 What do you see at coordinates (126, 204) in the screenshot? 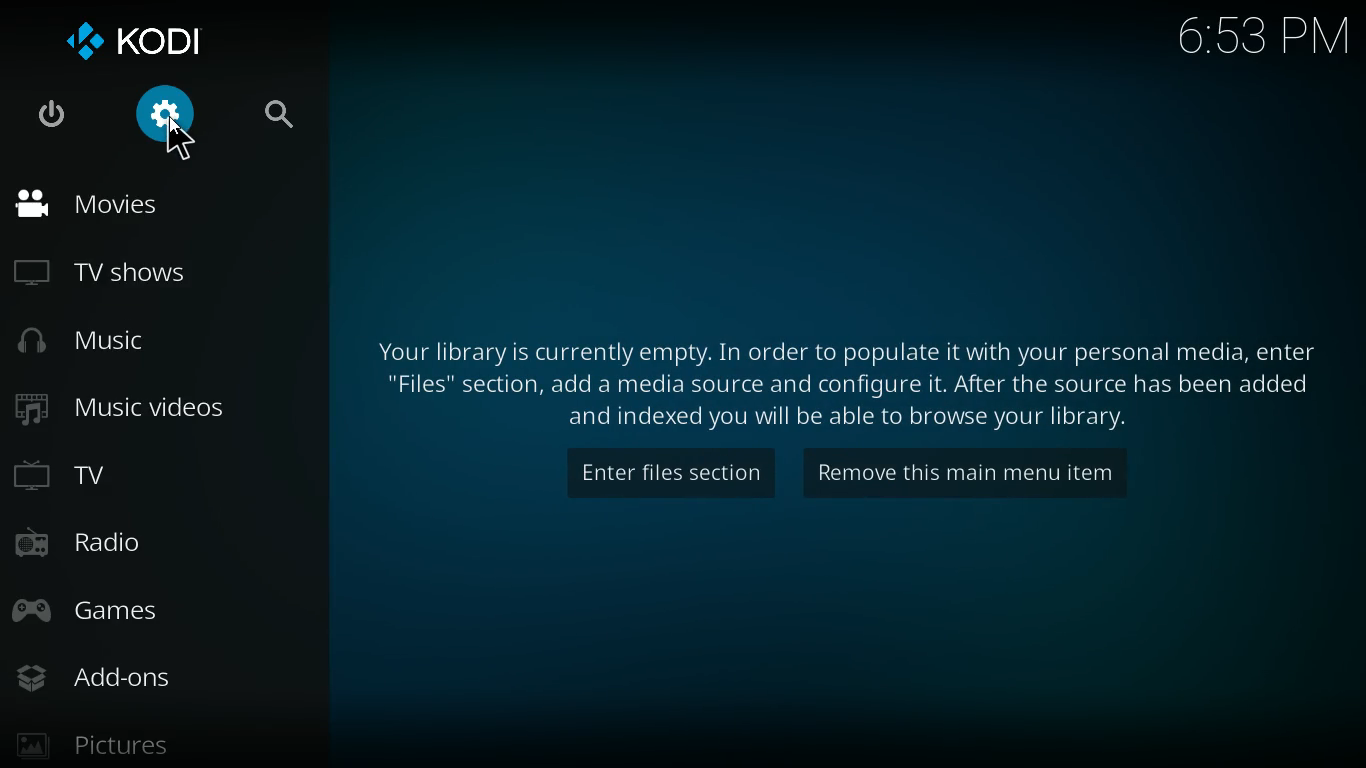
I see `movies` at bounding box center [126, 204].